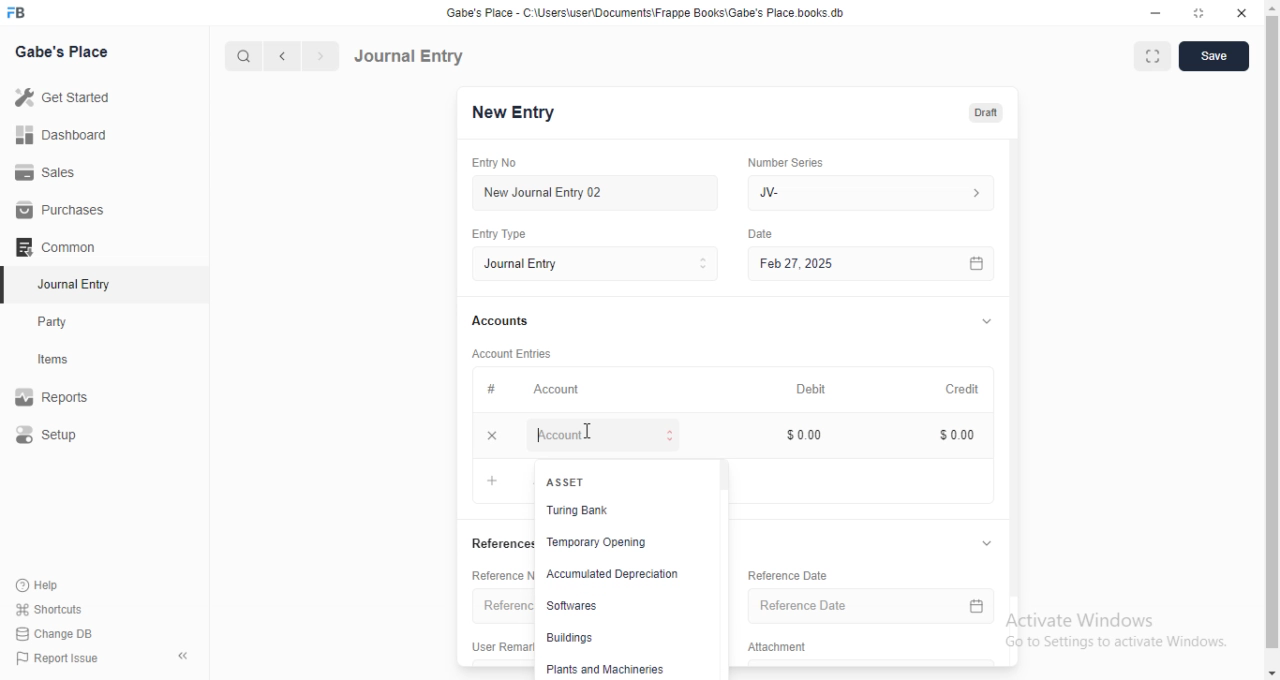 This screenshot has height=680, width=1280. I want to click on ‘Reference Date, so click(788, 576).